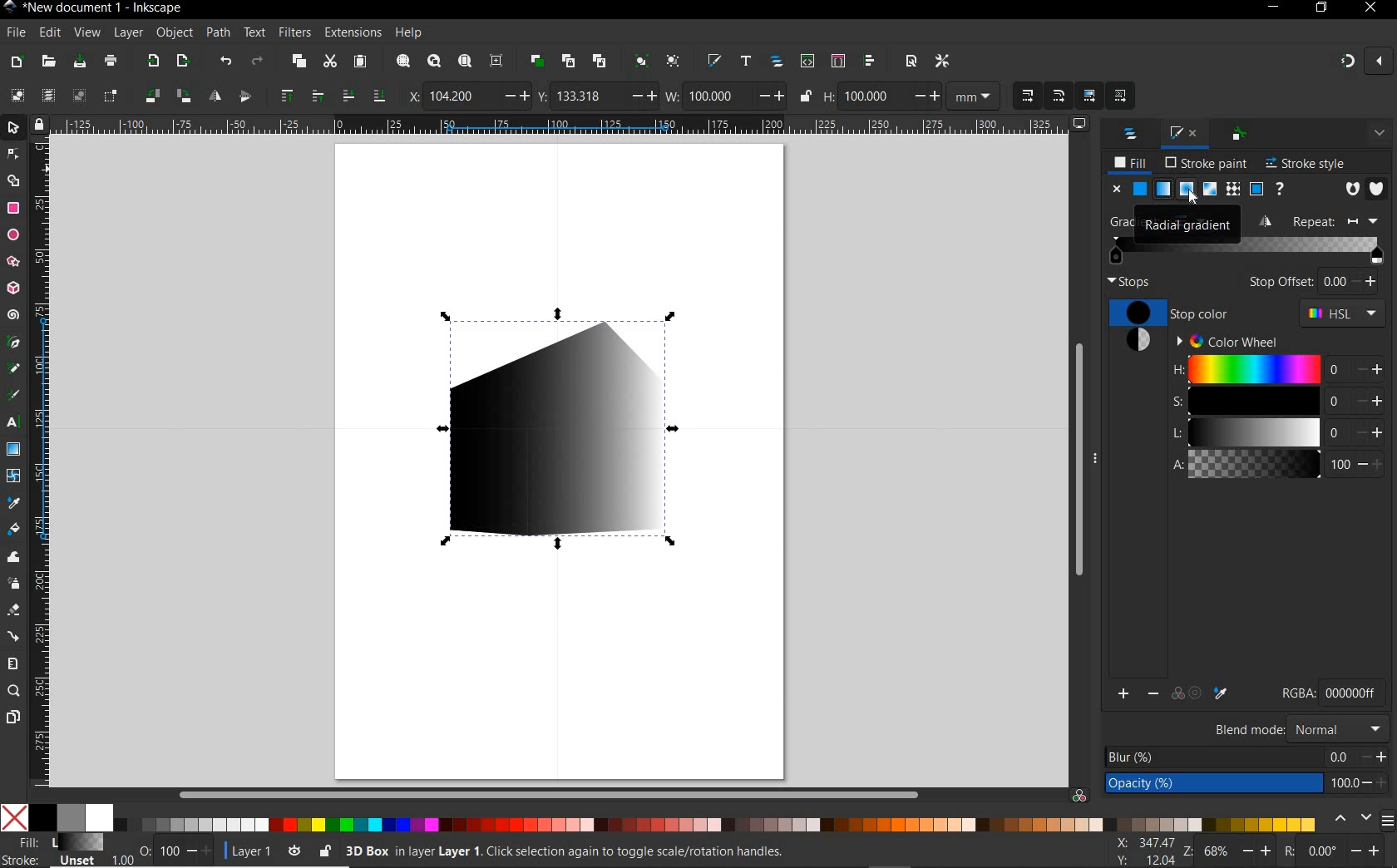 Image resolution: width=1397 pixels, height=868 pixels. Describe the element at coordinates (1121, 96) in the screenshot. I see `MOVE PATTERNS` at that location.